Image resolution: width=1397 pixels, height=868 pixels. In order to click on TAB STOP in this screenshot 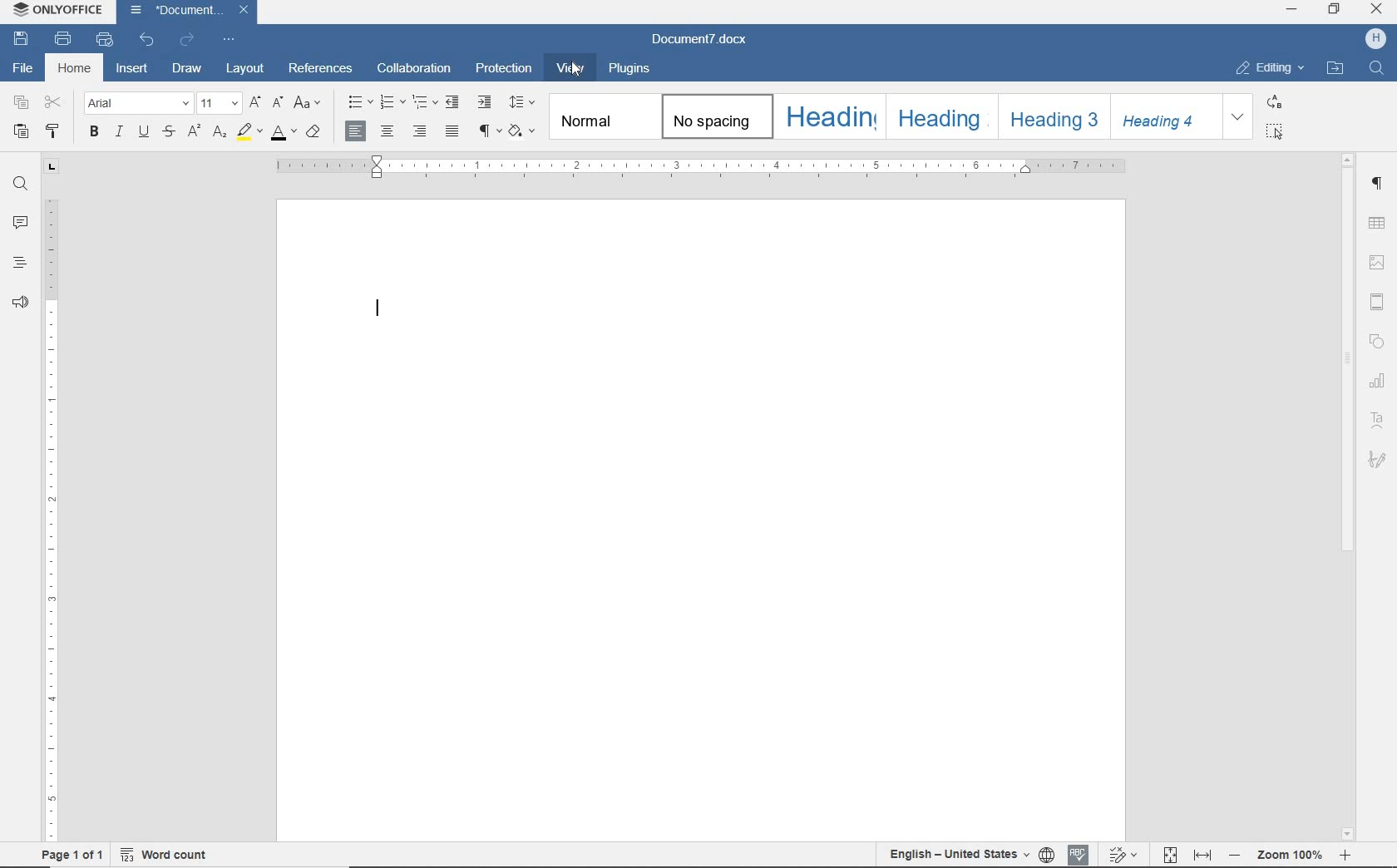, I will do `click(52, 168)`.